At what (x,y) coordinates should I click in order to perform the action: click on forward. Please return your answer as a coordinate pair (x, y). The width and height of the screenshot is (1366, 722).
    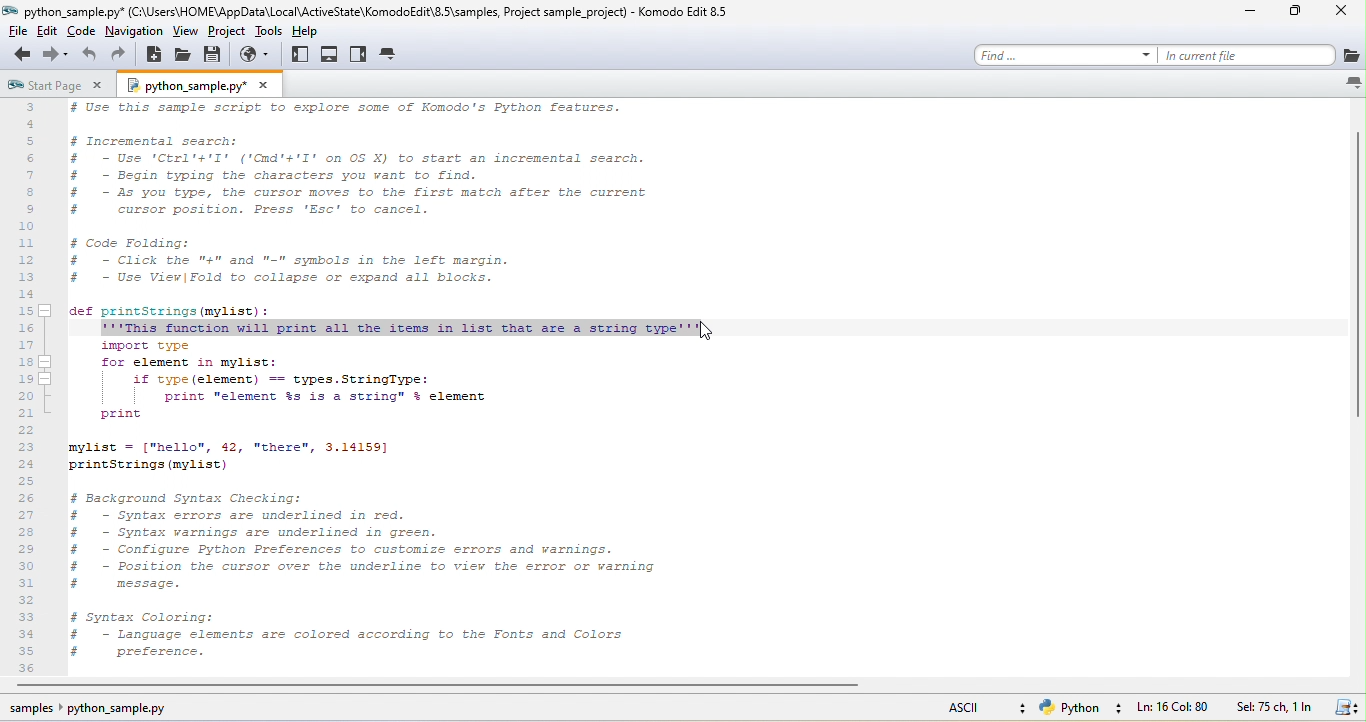
    Looking at the image, I should click on (54, 55).